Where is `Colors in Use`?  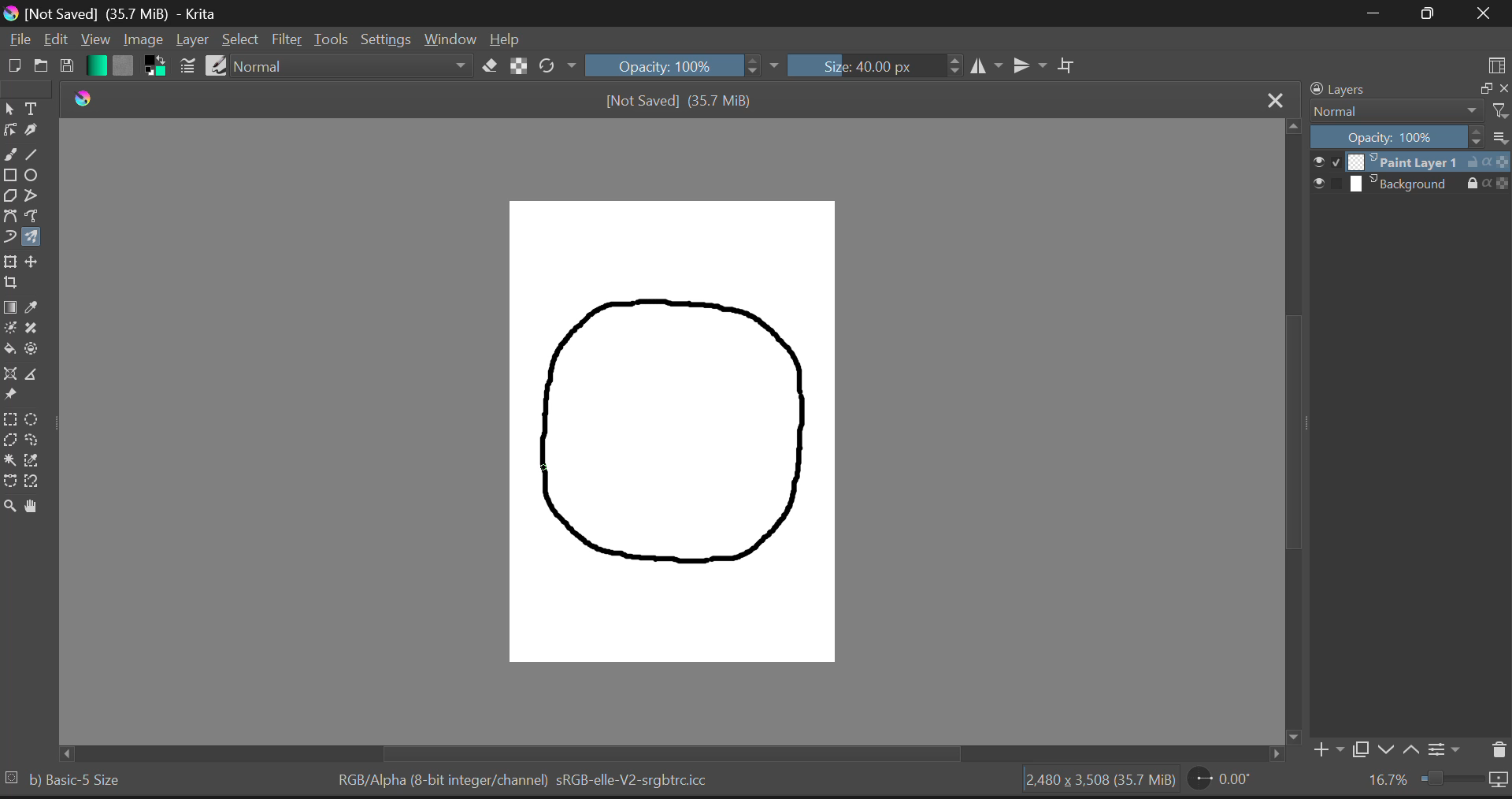 Colors in Use is located at coordinates (154, 65).